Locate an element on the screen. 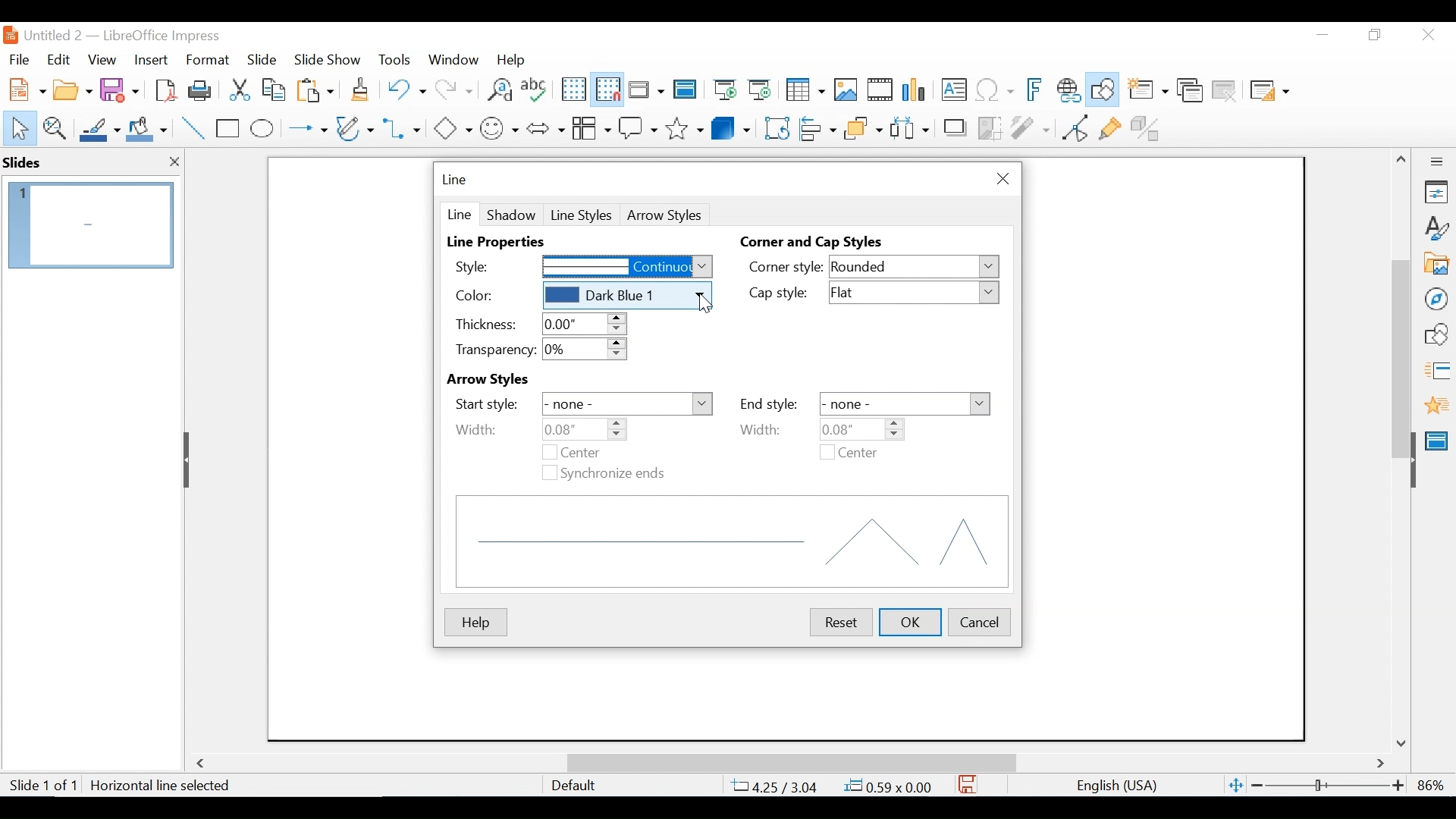 This screenshot has width=1456, height=819. Fill Color is located at coordinates (147, 129).